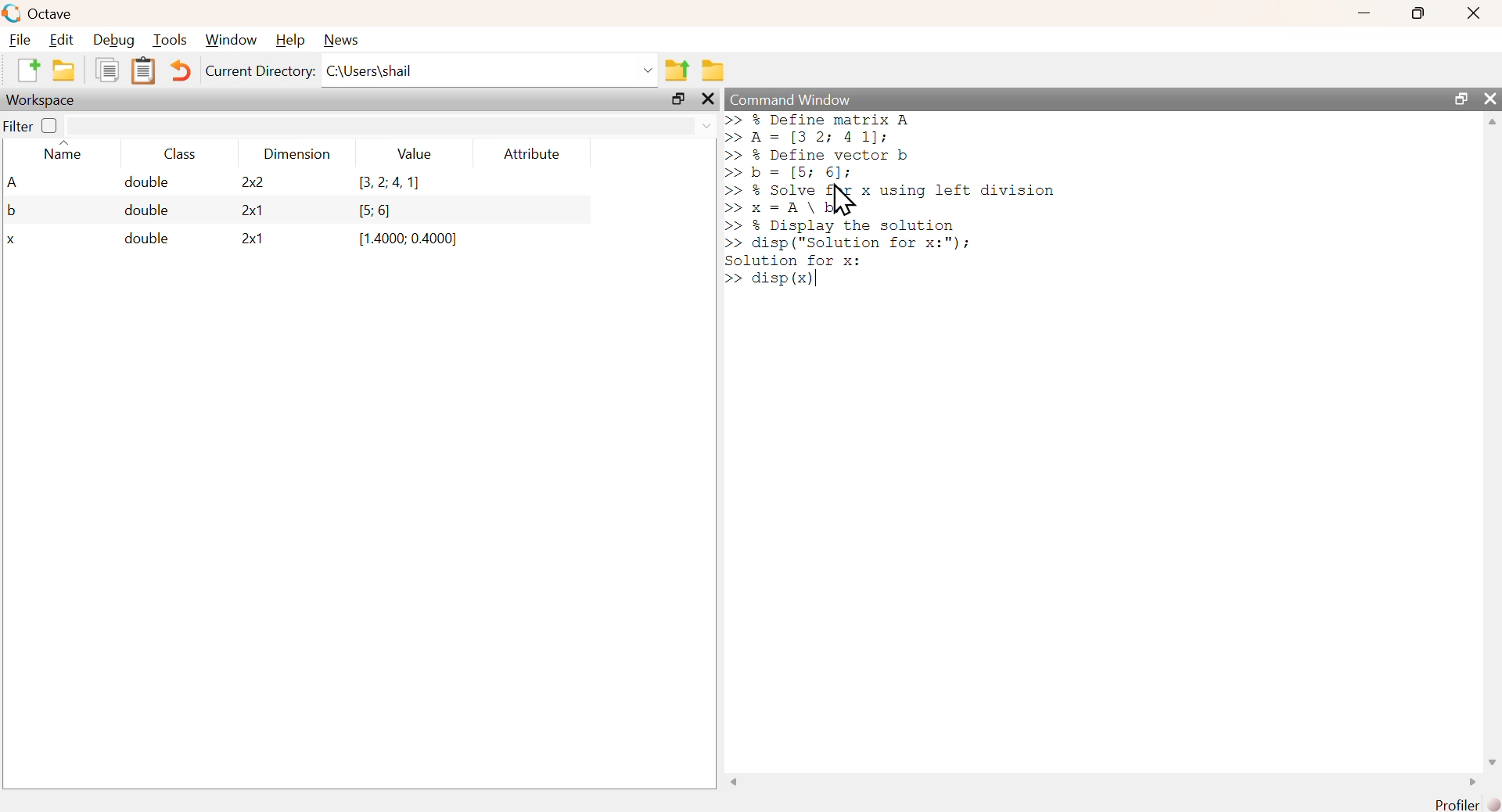 Image resolution: width=1502 pixels, height=812 pixels. What do you see at coordinates (15, 241) in the screenshot?
I see `x` at bounding box center [15, 241].